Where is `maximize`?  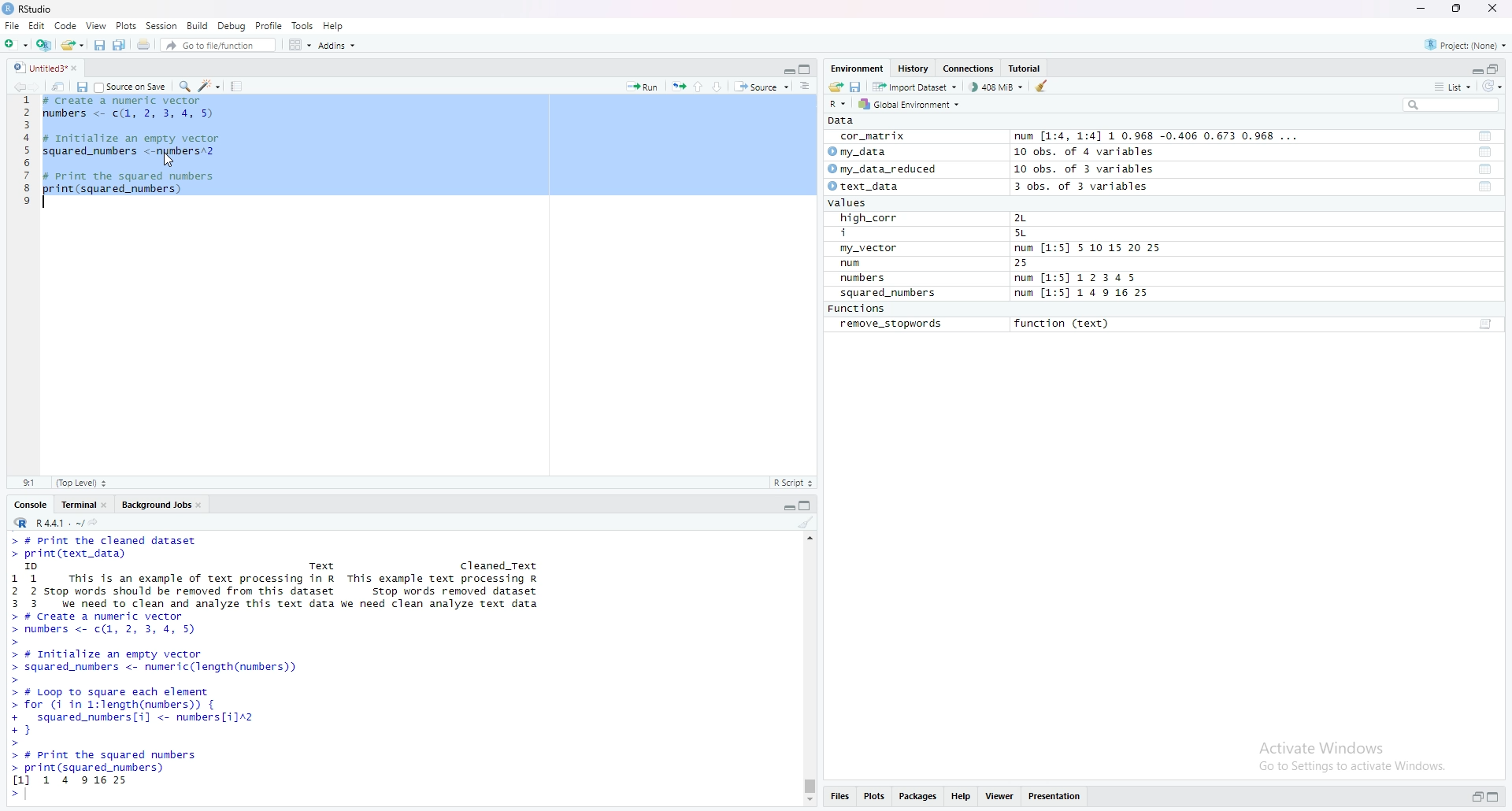
maximize is located at coordinates (1498, 798).